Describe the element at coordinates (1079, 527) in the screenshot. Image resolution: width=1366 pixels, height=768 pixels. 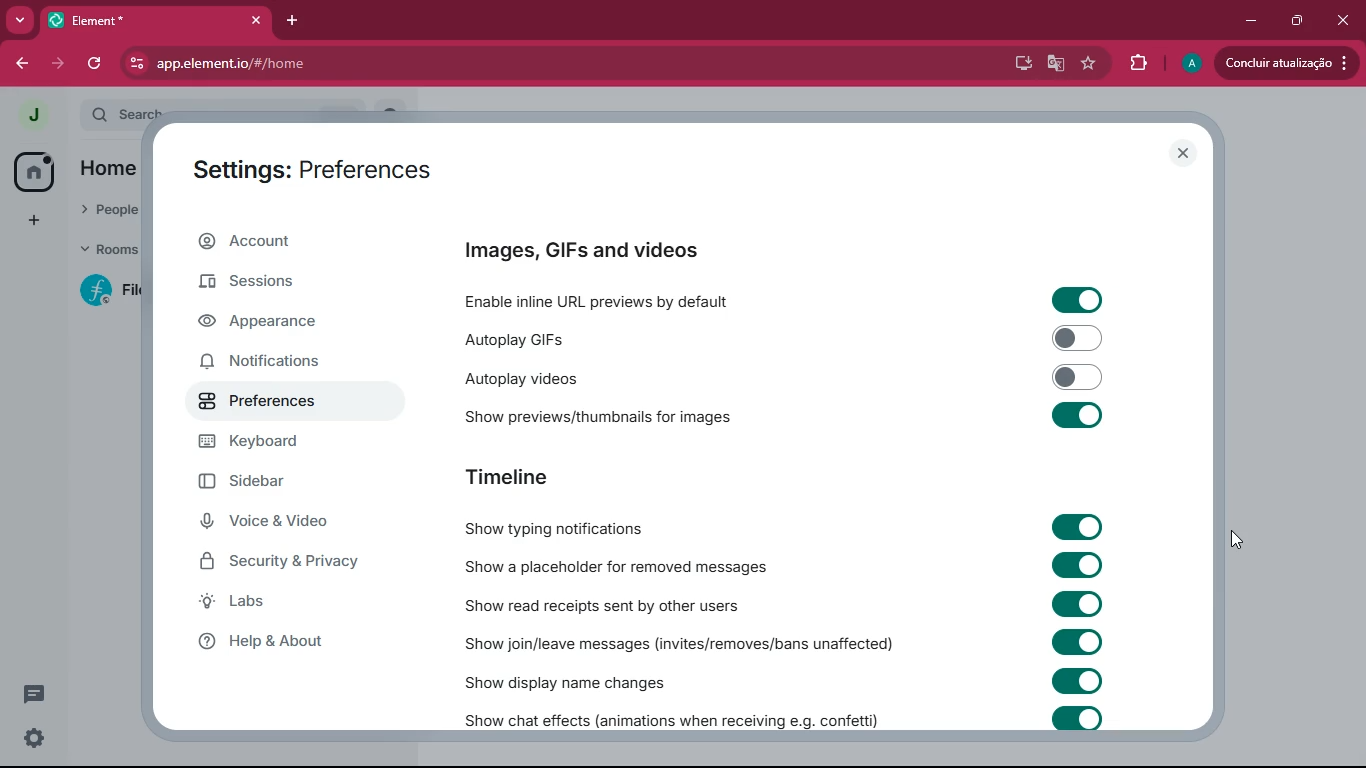
I see `toggle on/off` at that location.